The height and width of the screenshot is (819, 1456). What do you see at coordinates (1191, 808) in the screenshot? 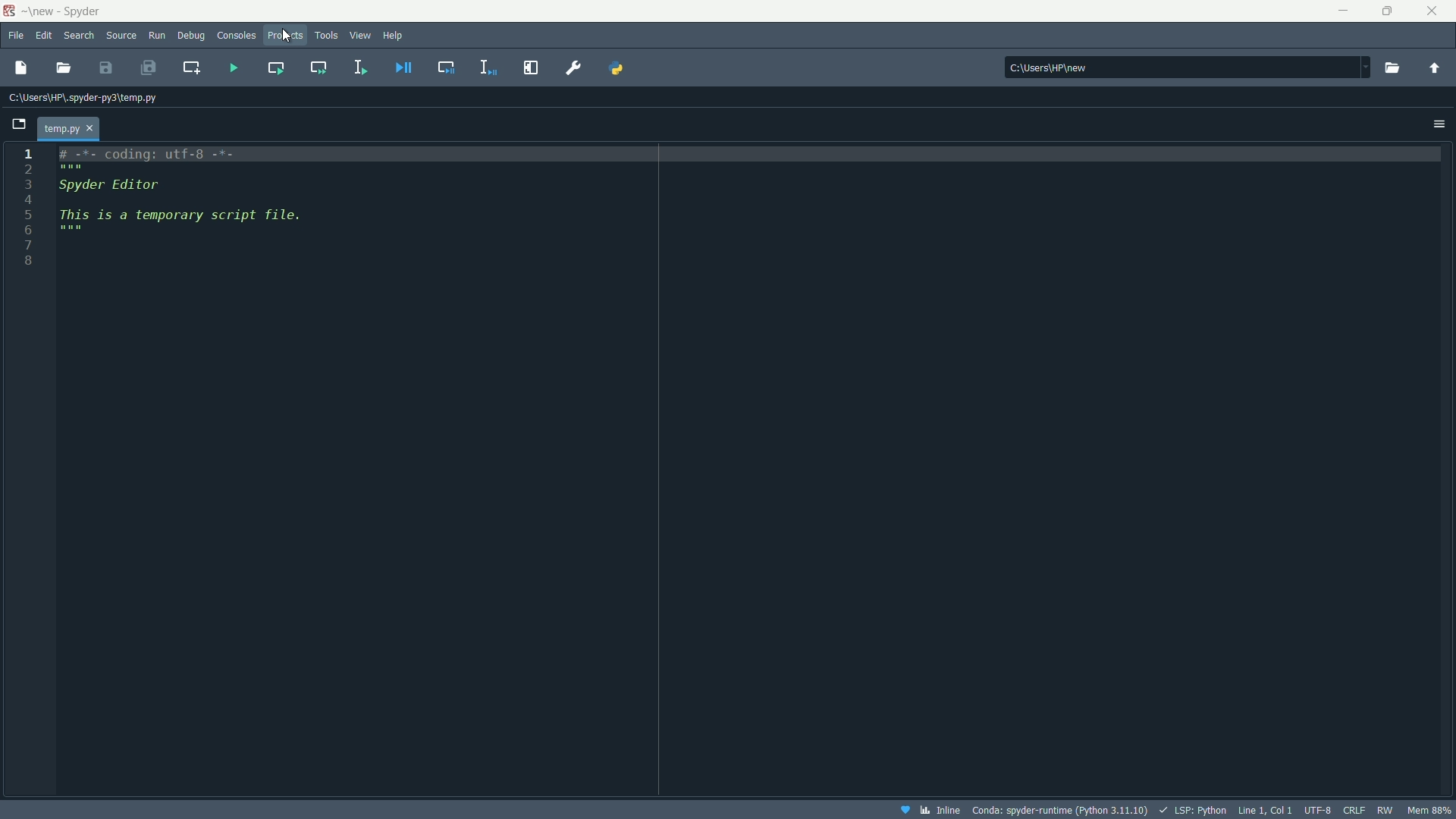
I see `LSP:Python` at bounding box center [1191, 808].